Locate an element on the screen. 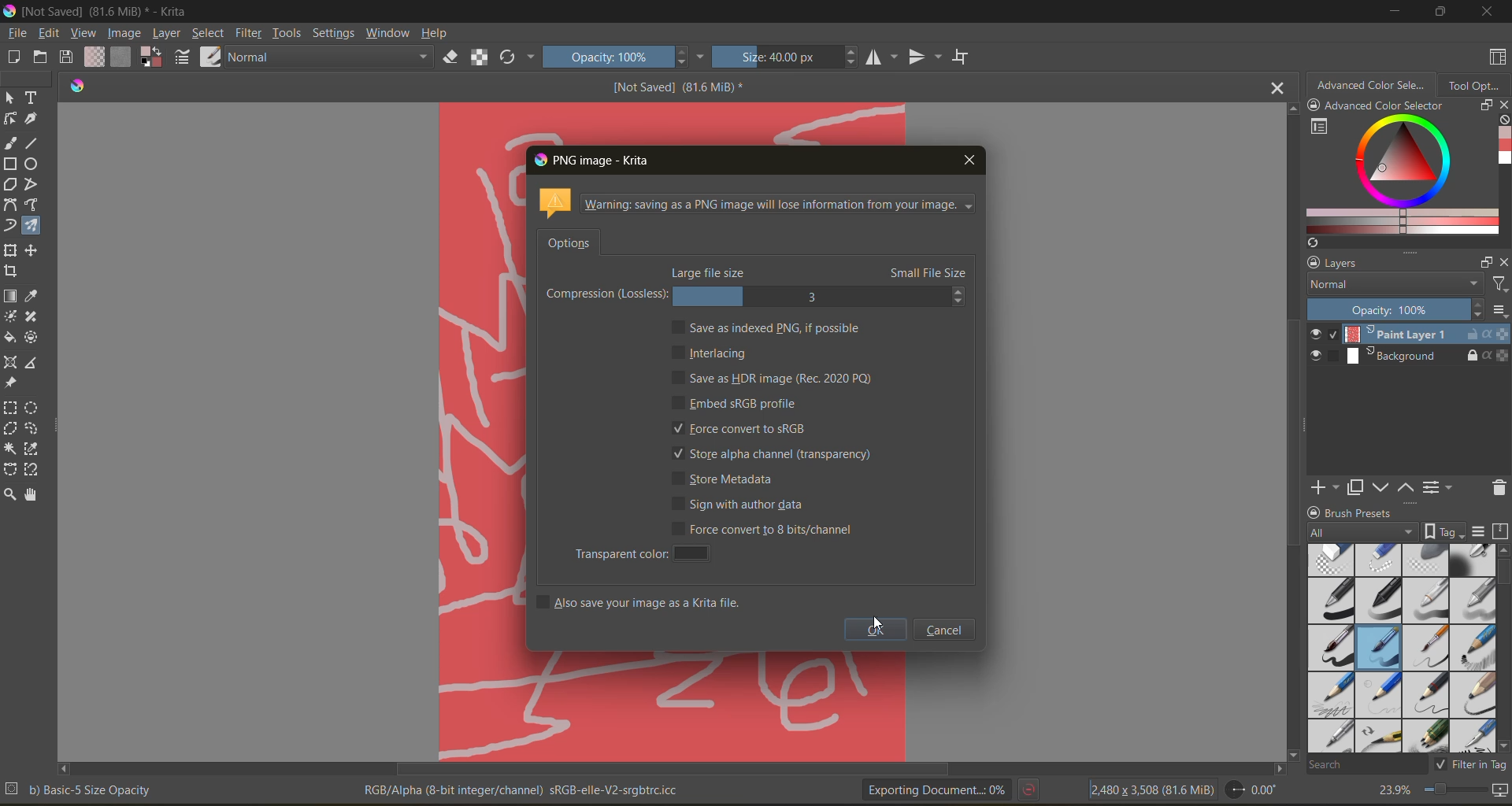  tool is located at coordinates (36, 120).